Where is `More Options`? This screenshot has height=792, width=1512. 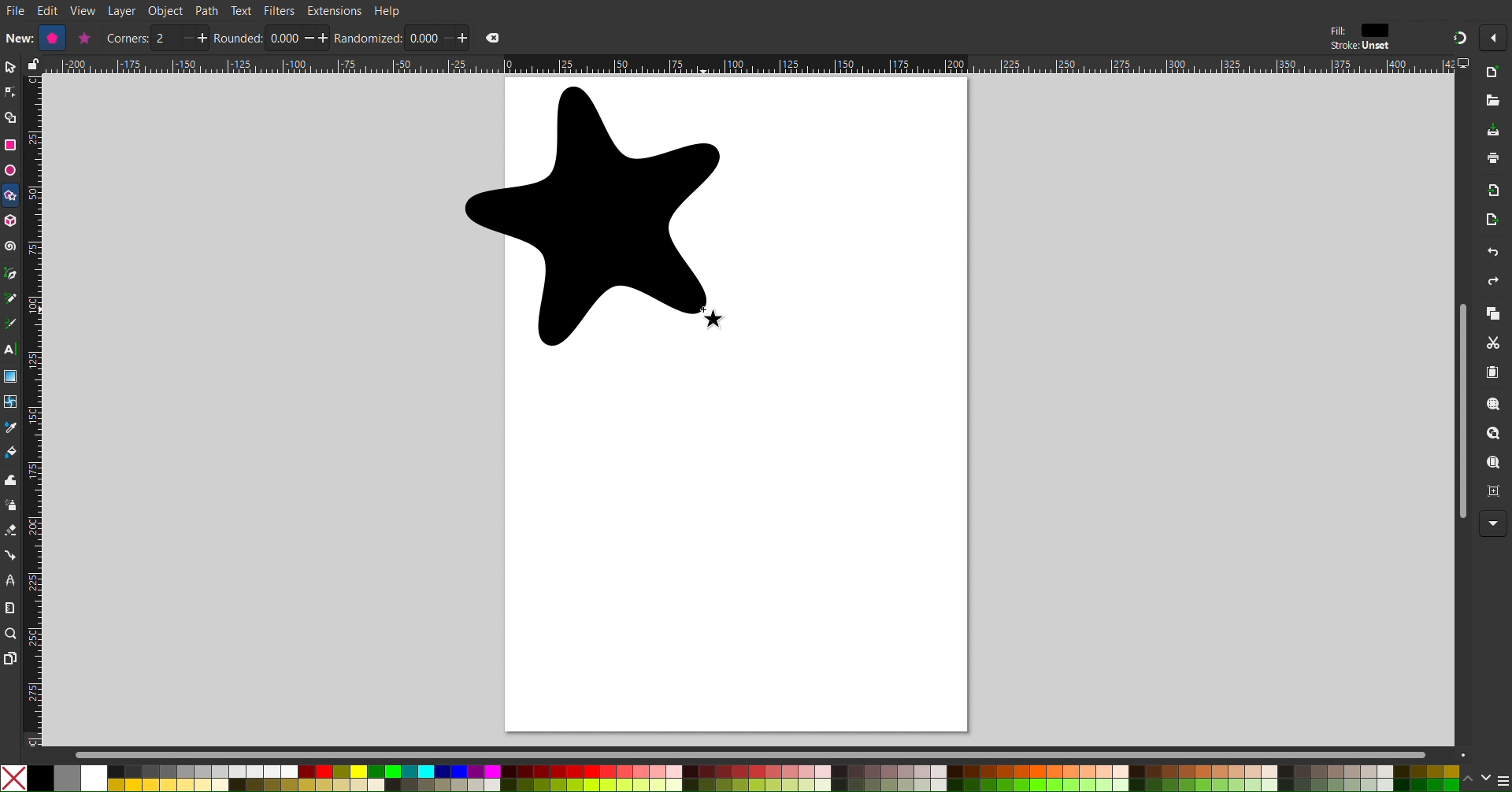
More Options is located at coordinates (1494, 524).